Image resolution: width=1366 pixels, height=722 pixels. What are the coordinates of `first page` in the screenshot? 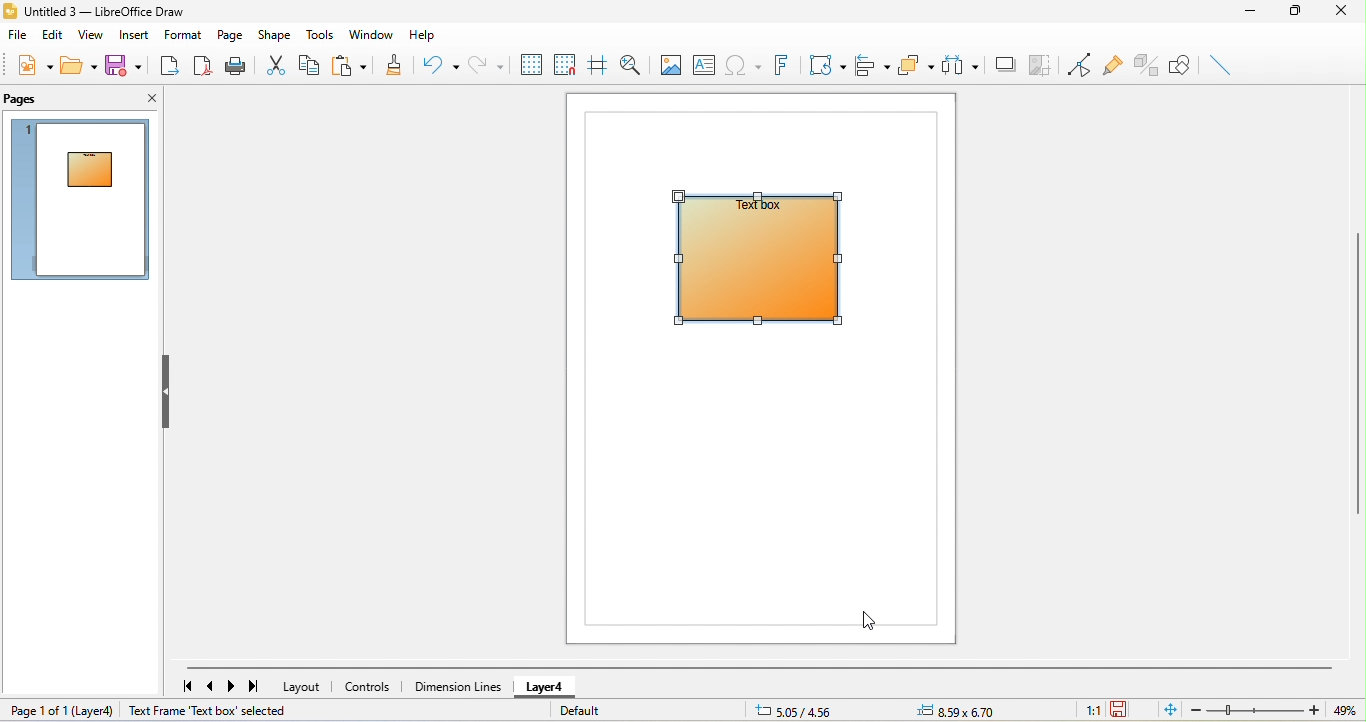 It's located at (185, 685).